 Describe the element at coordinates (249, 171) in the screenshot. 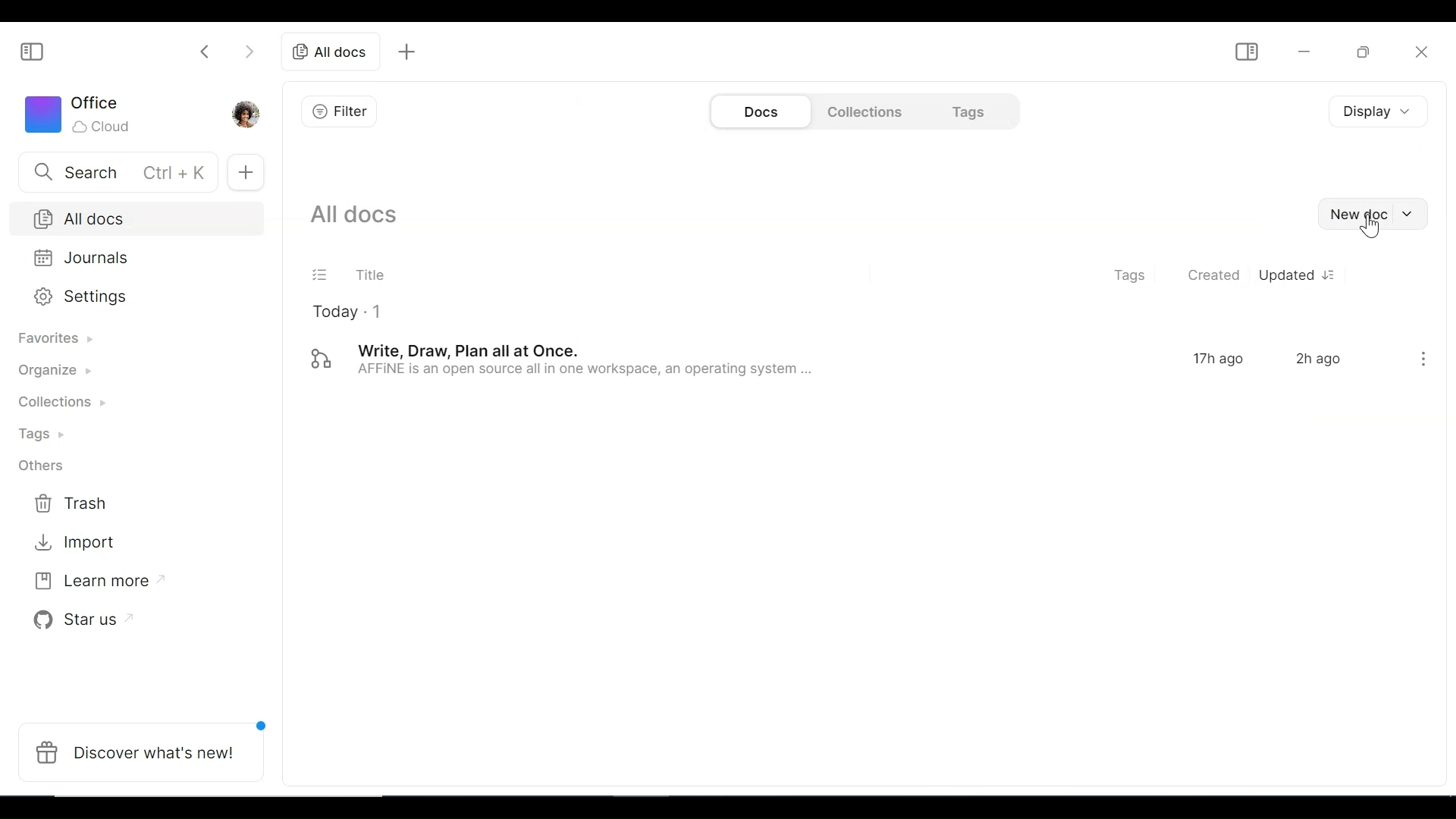

I see `Add New ` at that location.